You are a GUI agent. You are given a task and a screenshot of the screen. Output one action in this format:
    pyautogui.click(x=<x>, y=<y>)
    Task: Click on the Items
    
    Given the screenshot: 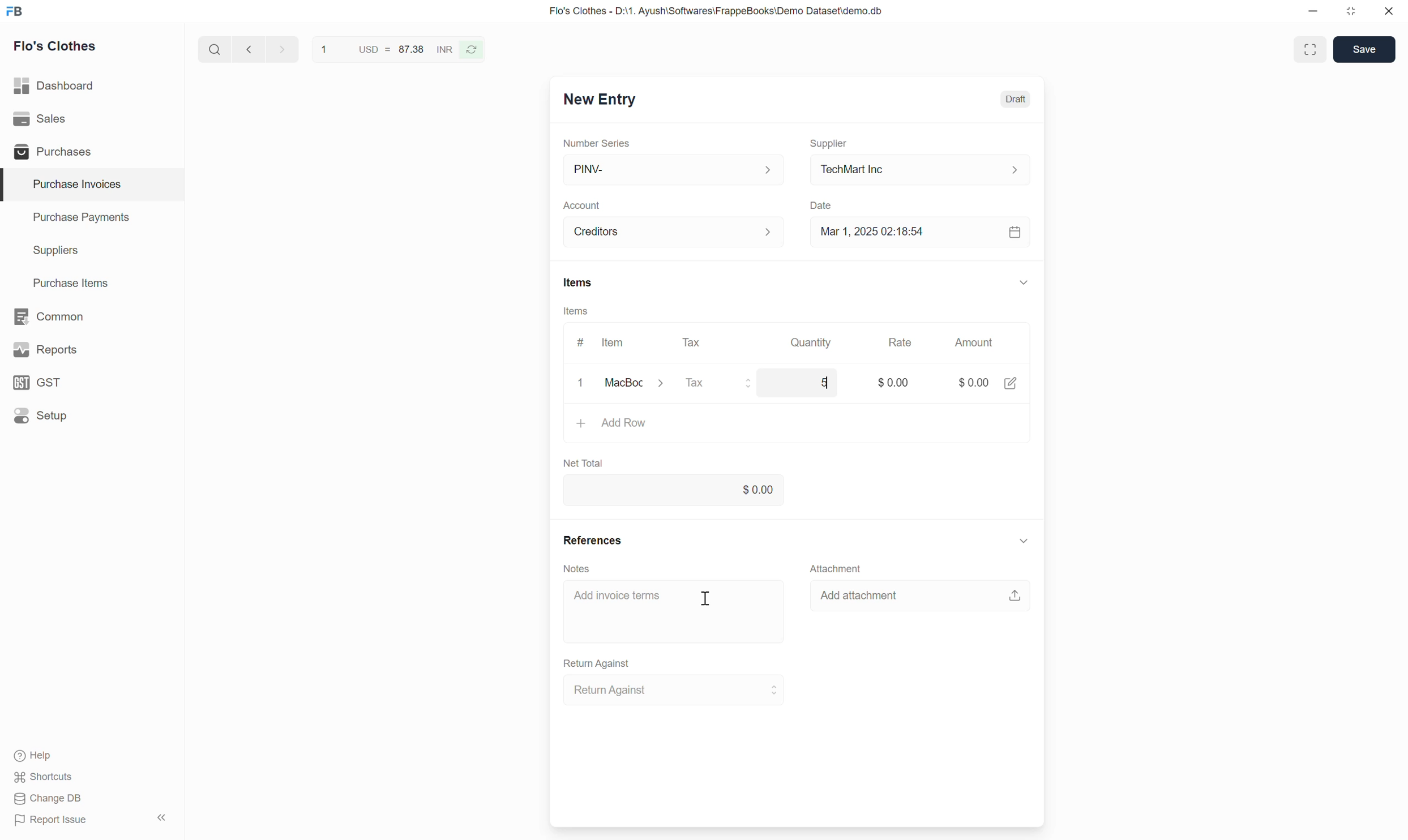 What is the action you would take?
    pyautogui.click(x=576, y=311)
    